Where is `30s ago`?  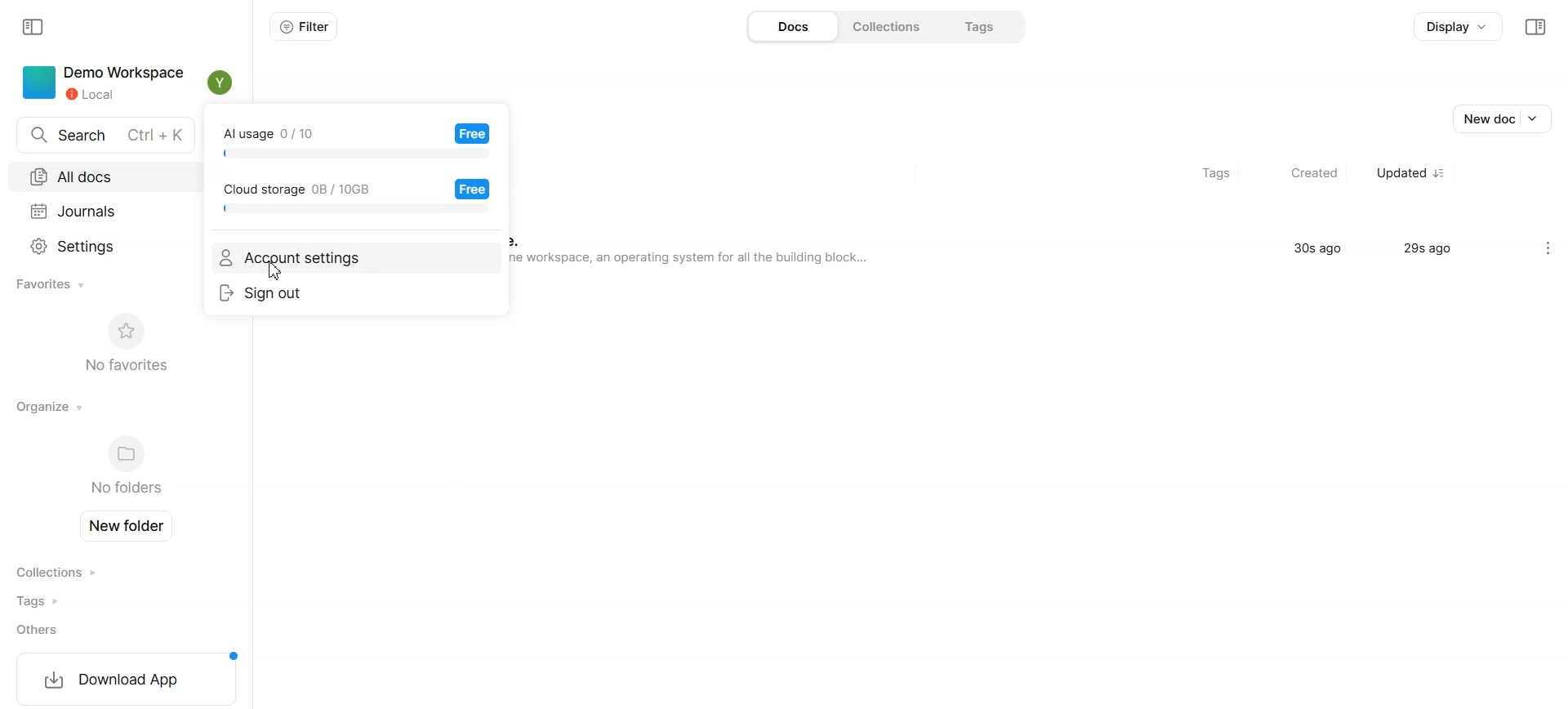 30s ago is located at coordinates (1319, 252).